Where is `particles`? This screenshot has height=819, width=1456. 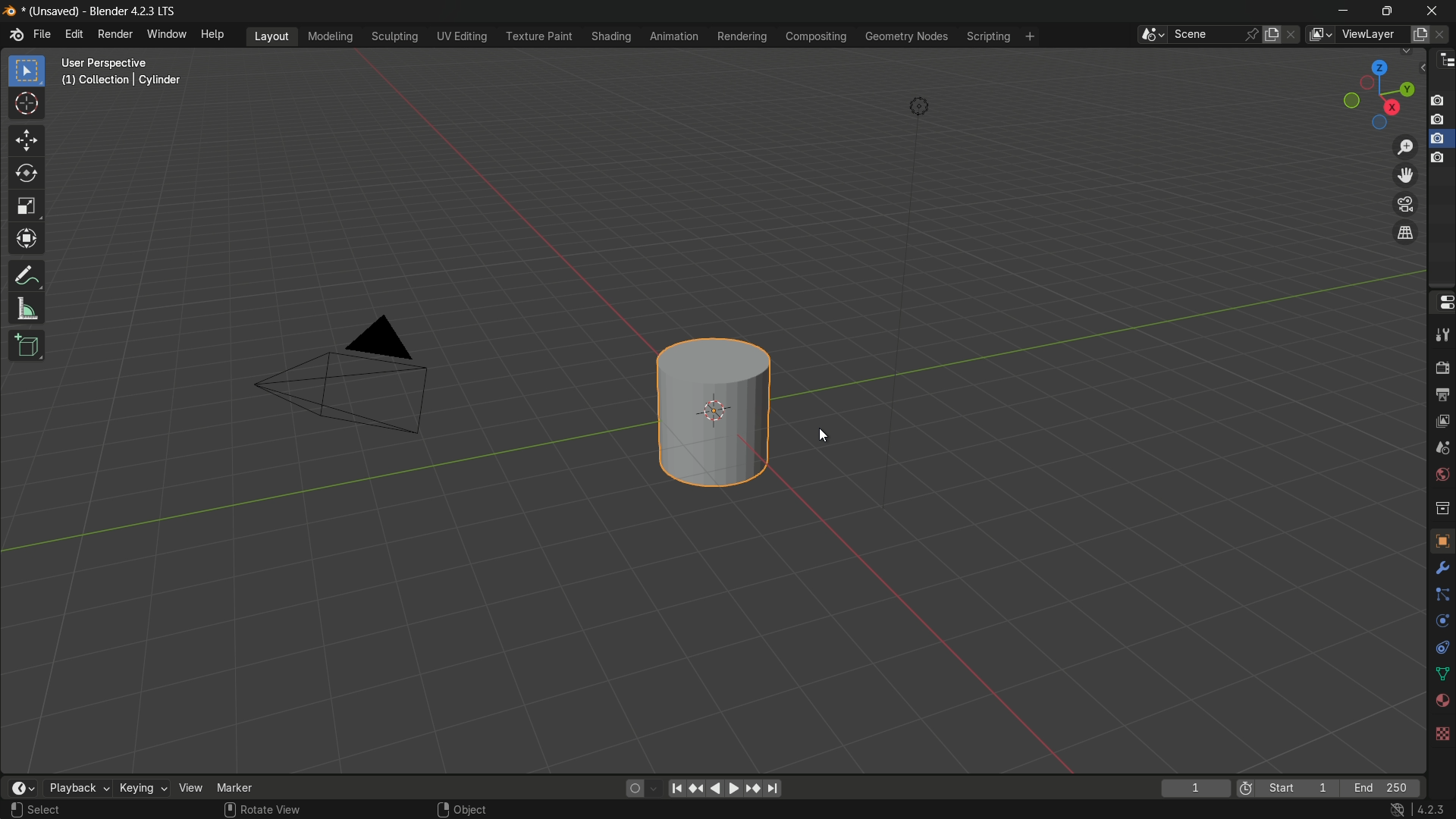 particles is located at coordinates (1439, 595).